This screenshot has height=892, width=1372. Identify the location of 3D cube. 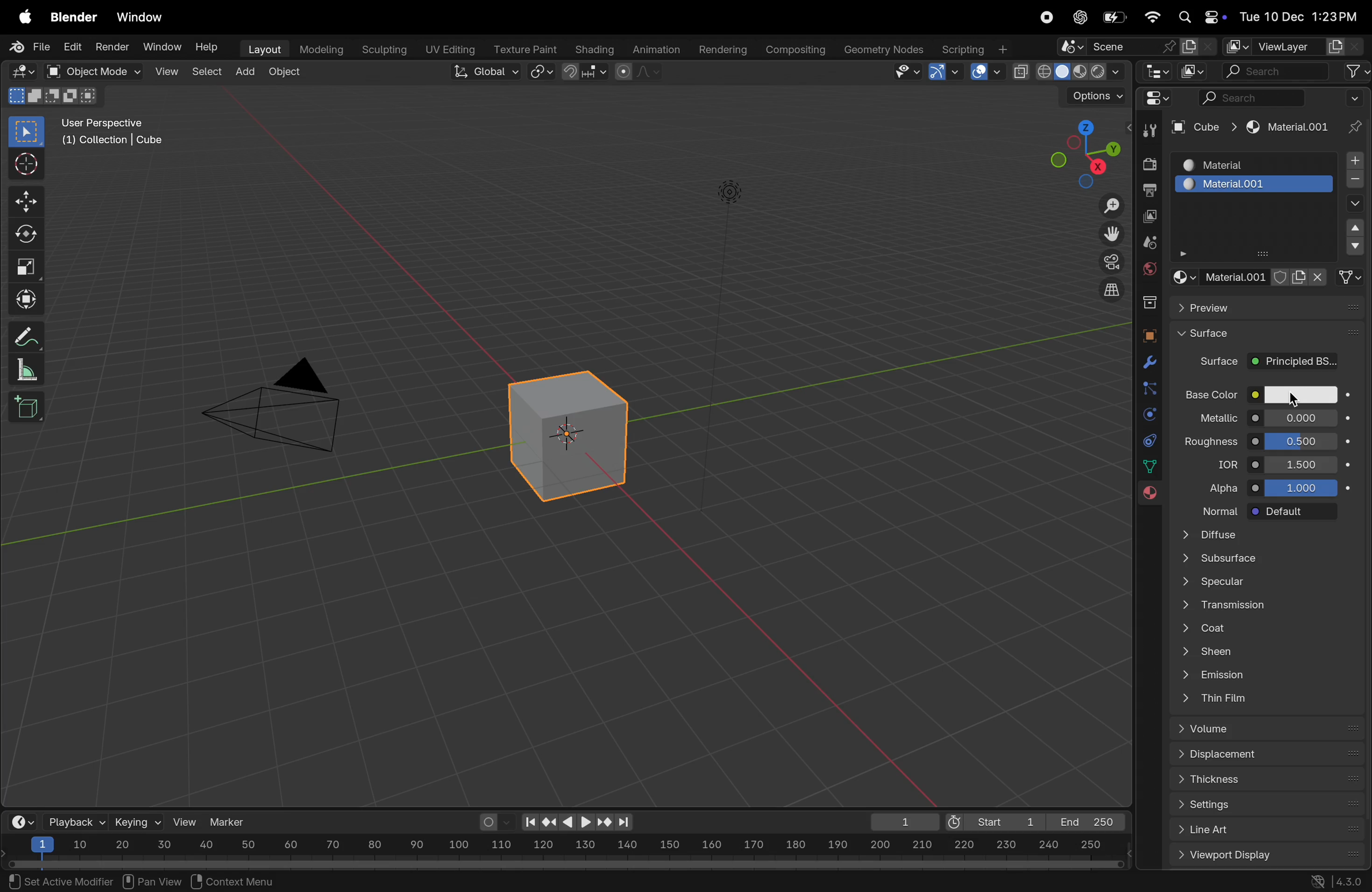
(26, 407).